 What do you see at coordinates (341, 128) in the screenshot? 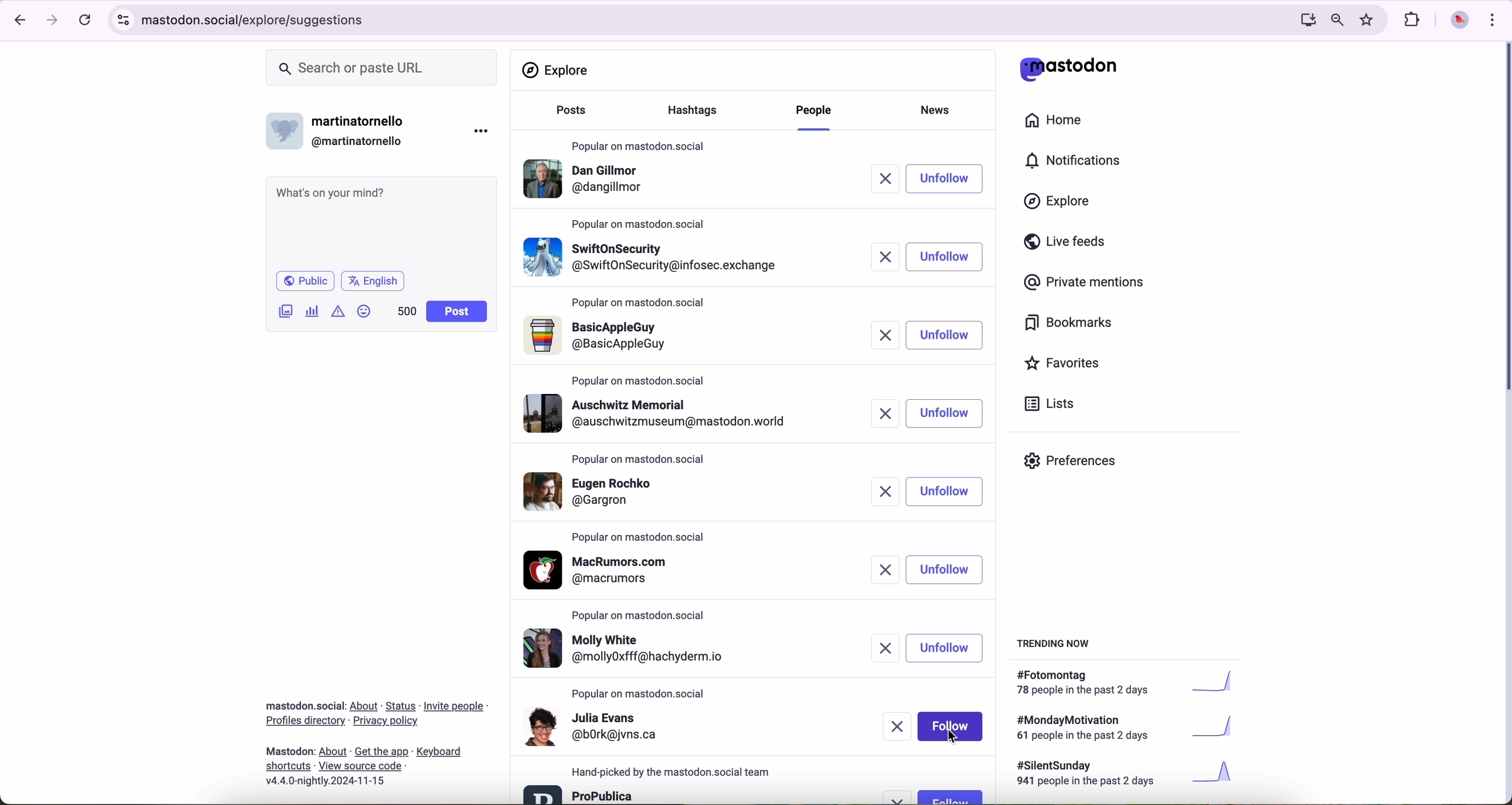
I see `username` at bounding box center [341, 128].